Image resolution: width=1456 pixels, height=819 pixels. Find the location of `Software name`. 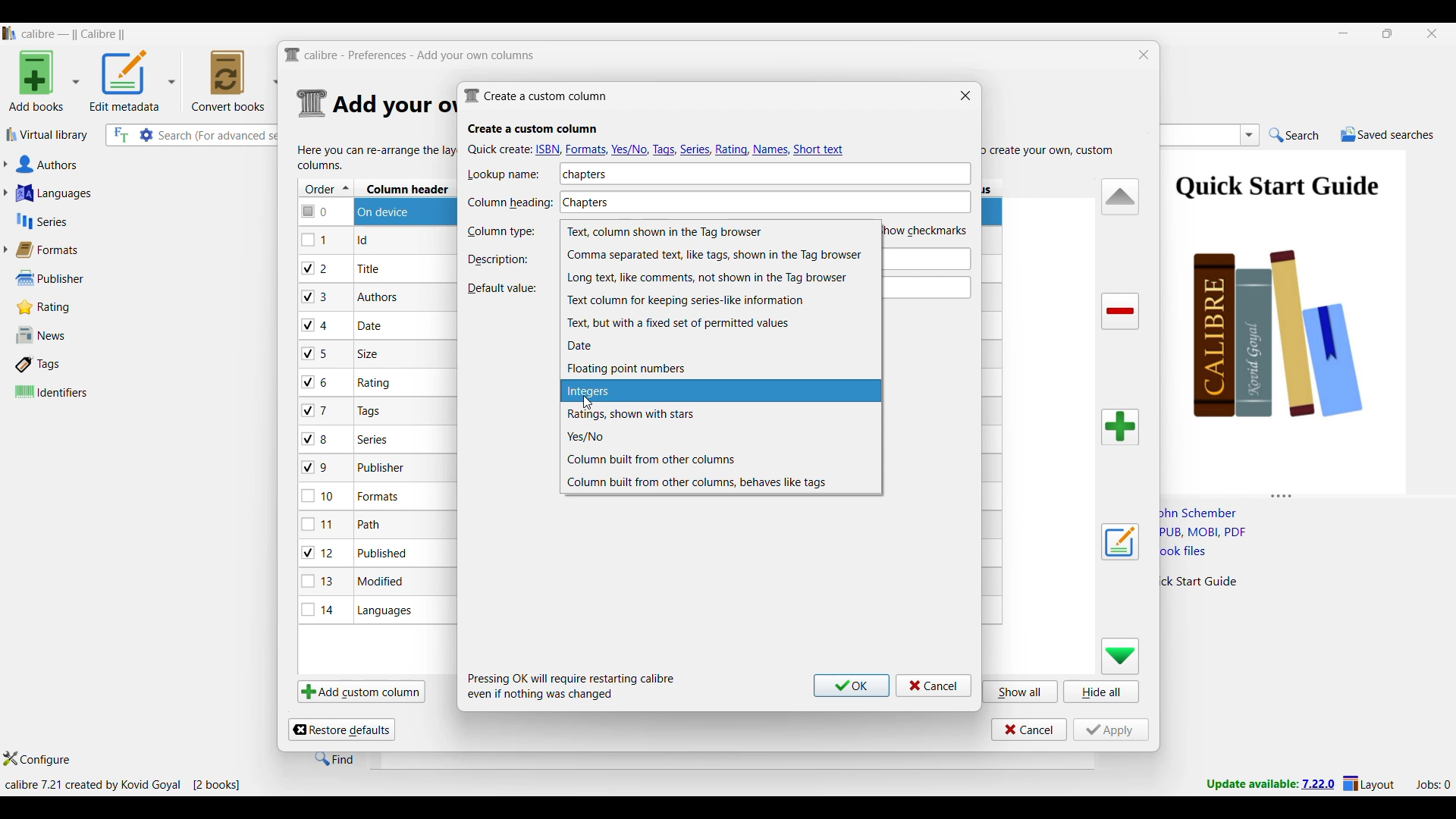

Software name is located at coordinates (74, 34).